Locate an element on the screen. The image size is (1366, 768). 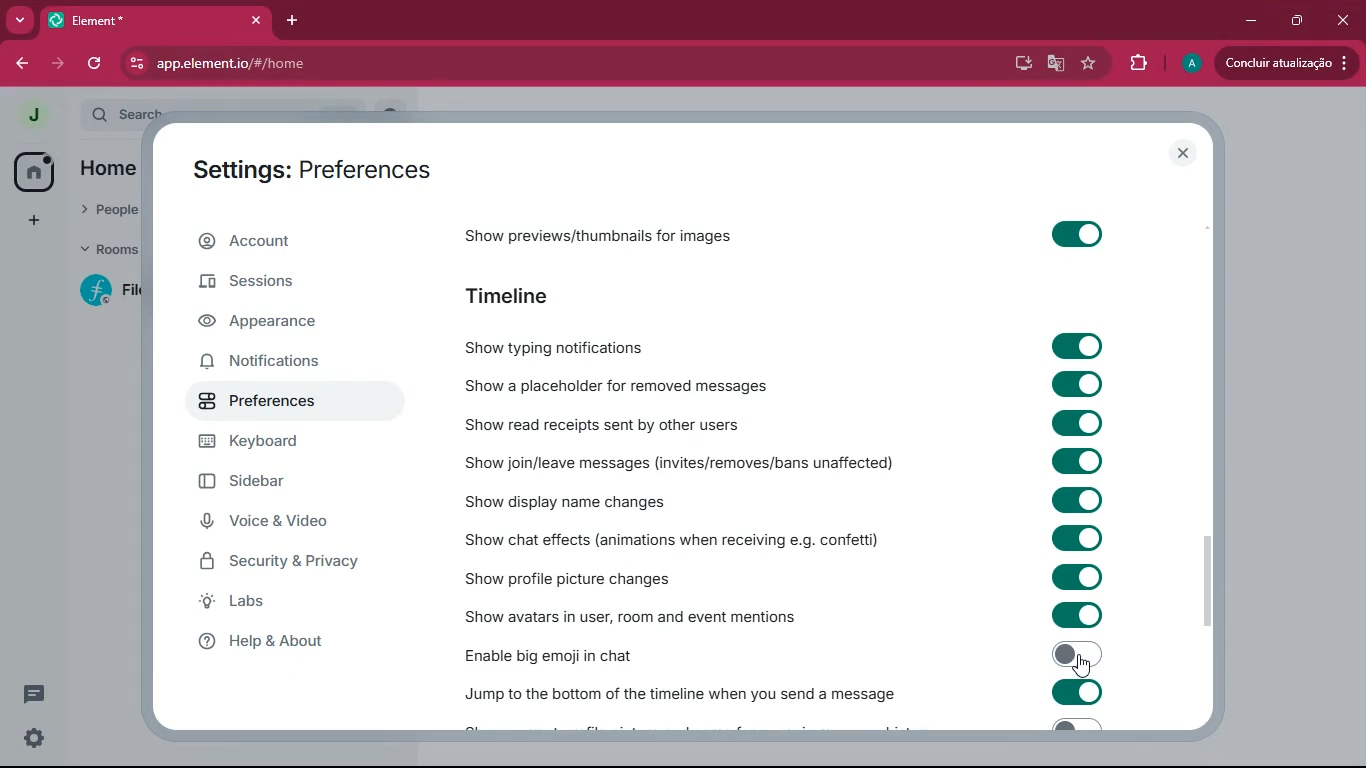
toggle on  is located at coordinates (1078, 537).